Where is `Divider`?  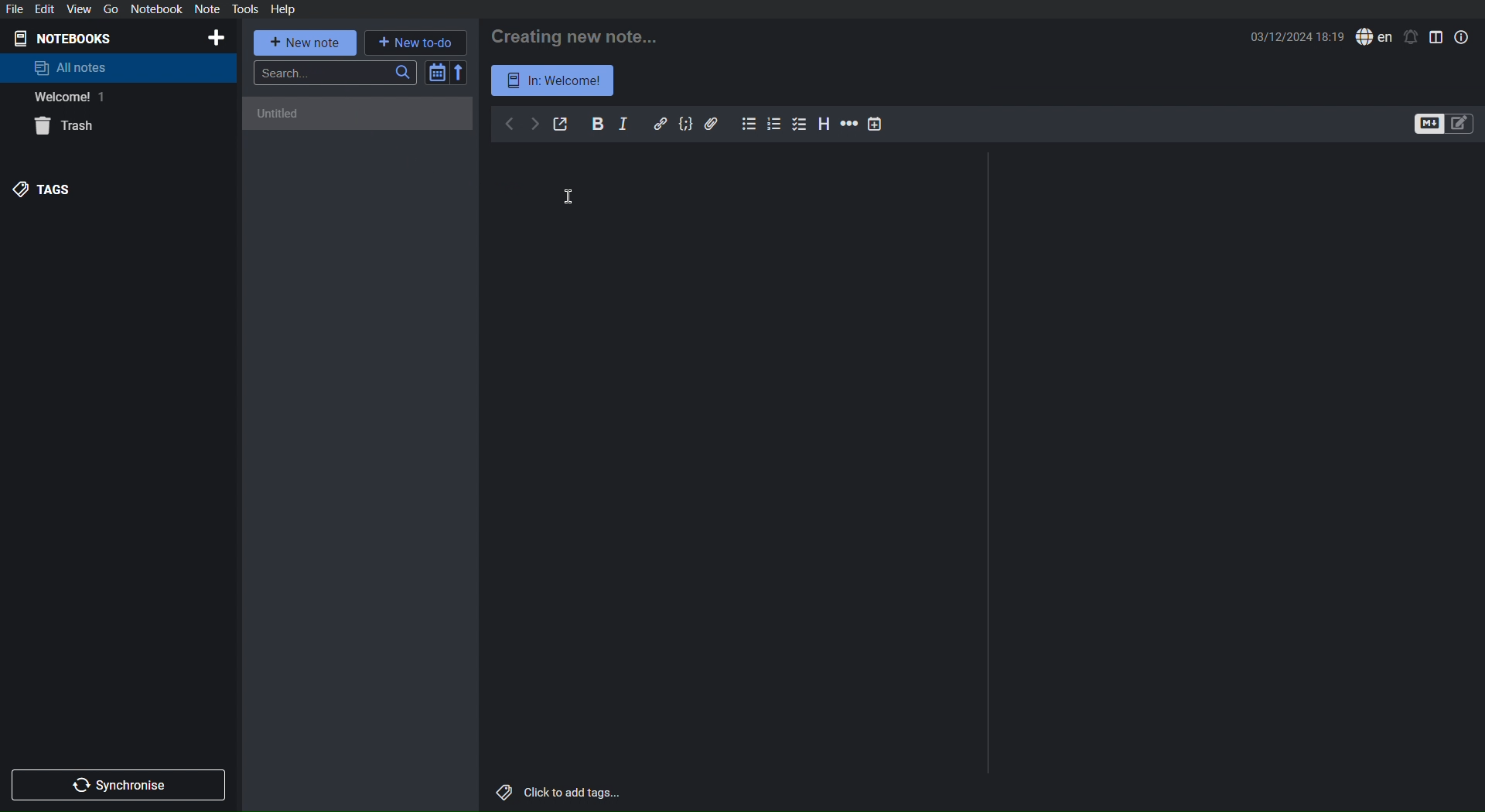
Divider is located at coordinates (989, 466).